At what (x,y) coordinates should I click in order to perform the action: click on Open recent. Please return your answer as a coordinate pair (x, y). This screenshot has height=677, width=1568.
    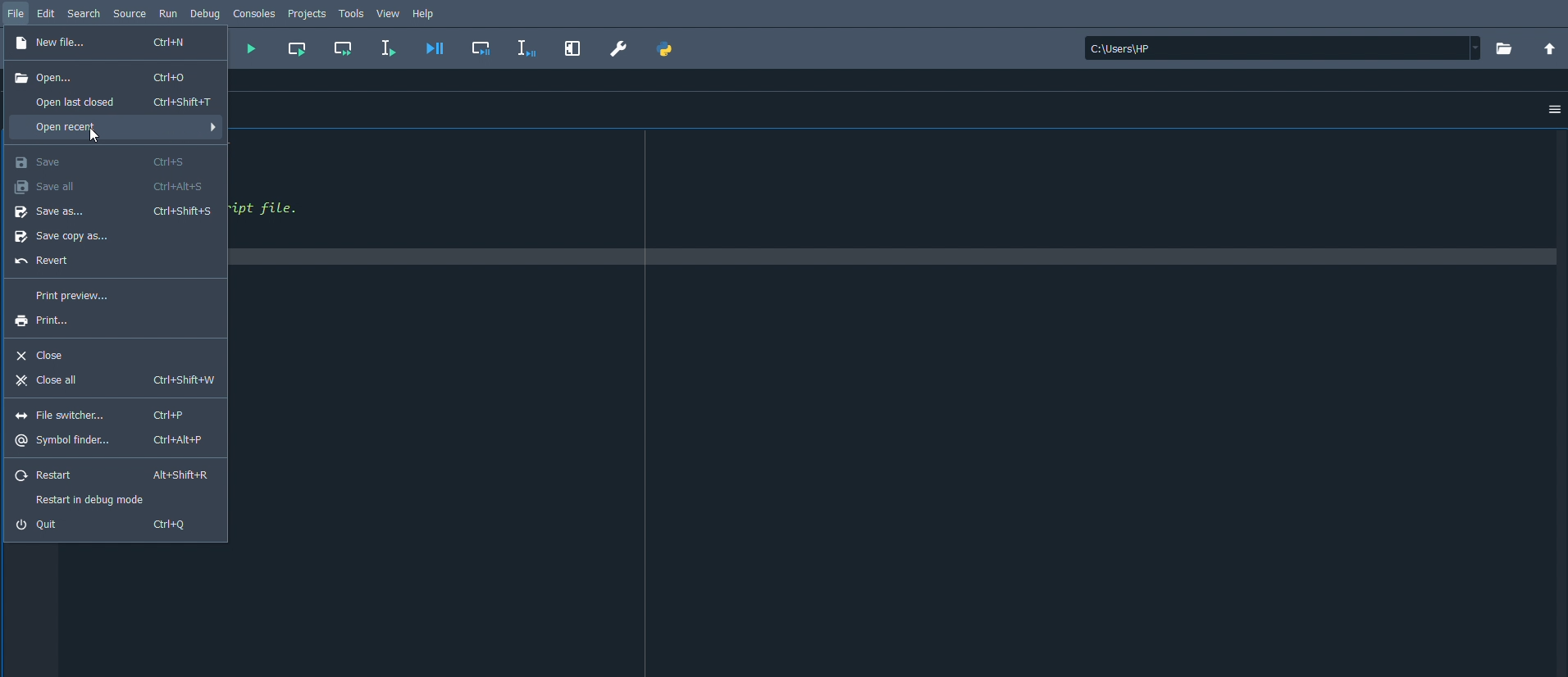
    Looking at the image, I should click on (115, 129).